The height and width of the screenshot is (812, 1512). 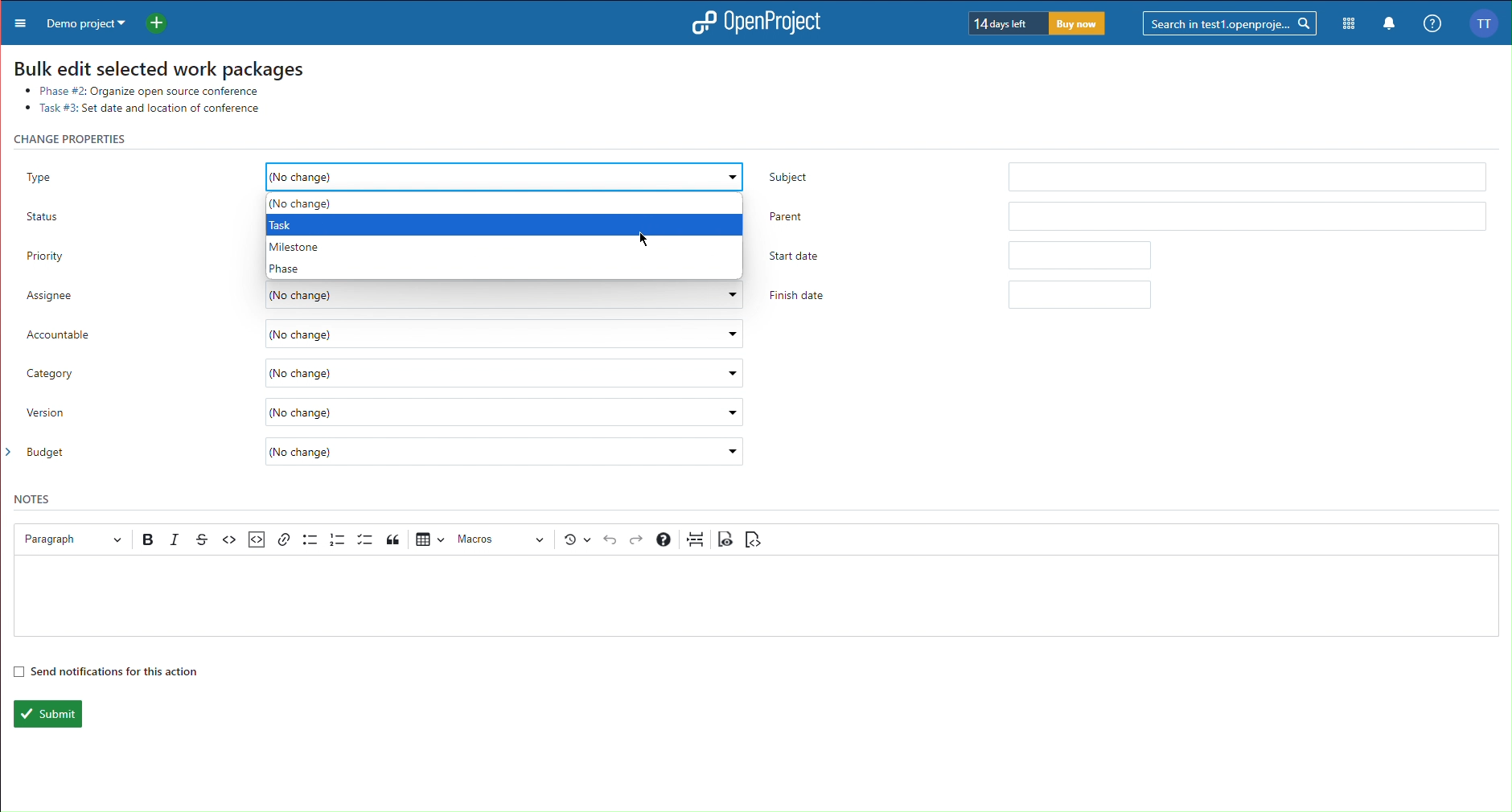 I want to click on Phase #2: Organize open source conference, so click(x=150, y=89).